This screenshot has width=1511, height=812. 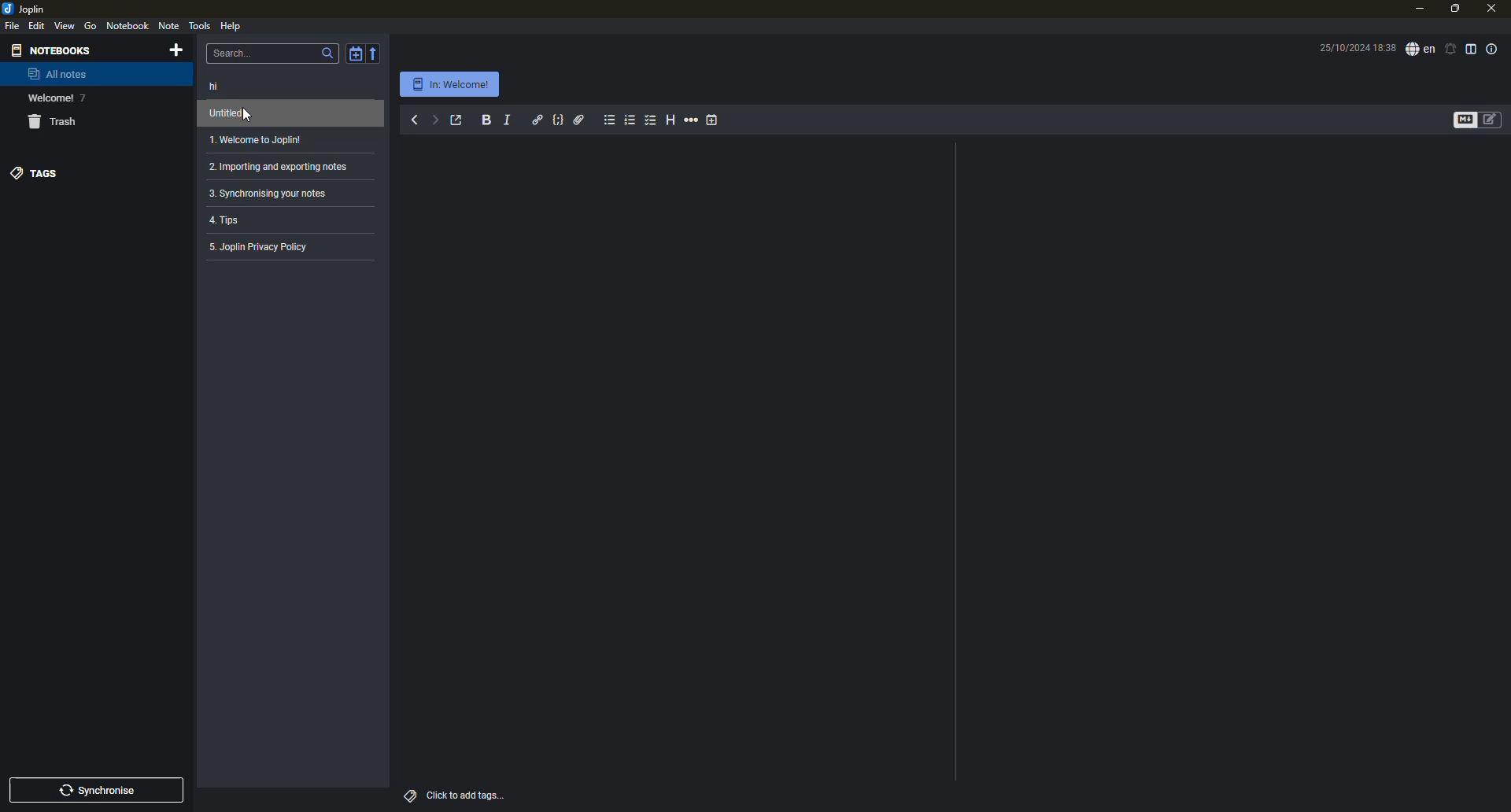 What do you see at coordinates (50, 98) in the screenshot?
I see `Welcome!` at bounding box center [50, 98].